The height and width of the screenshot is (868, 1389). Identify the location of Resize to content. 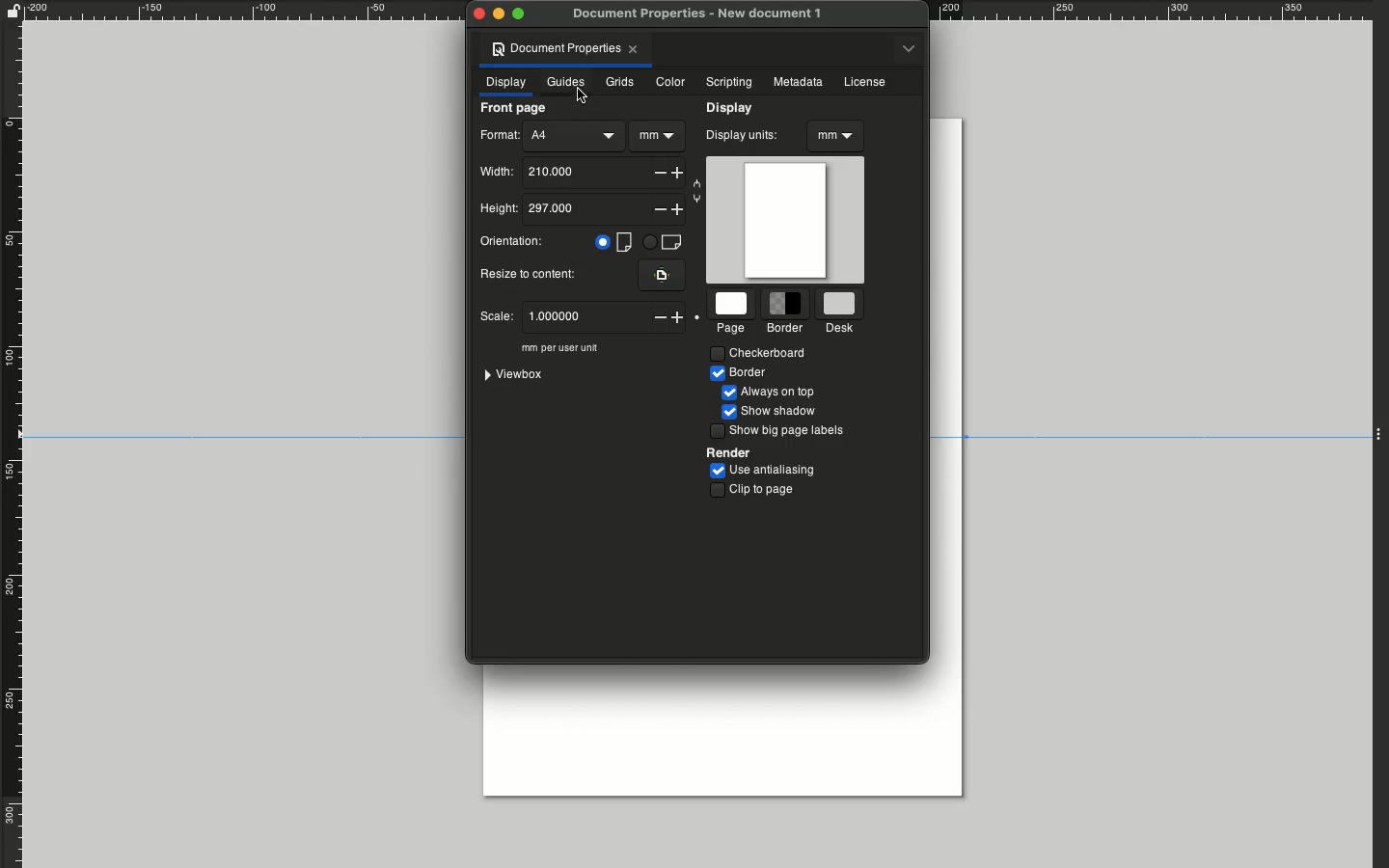
(528, 272).